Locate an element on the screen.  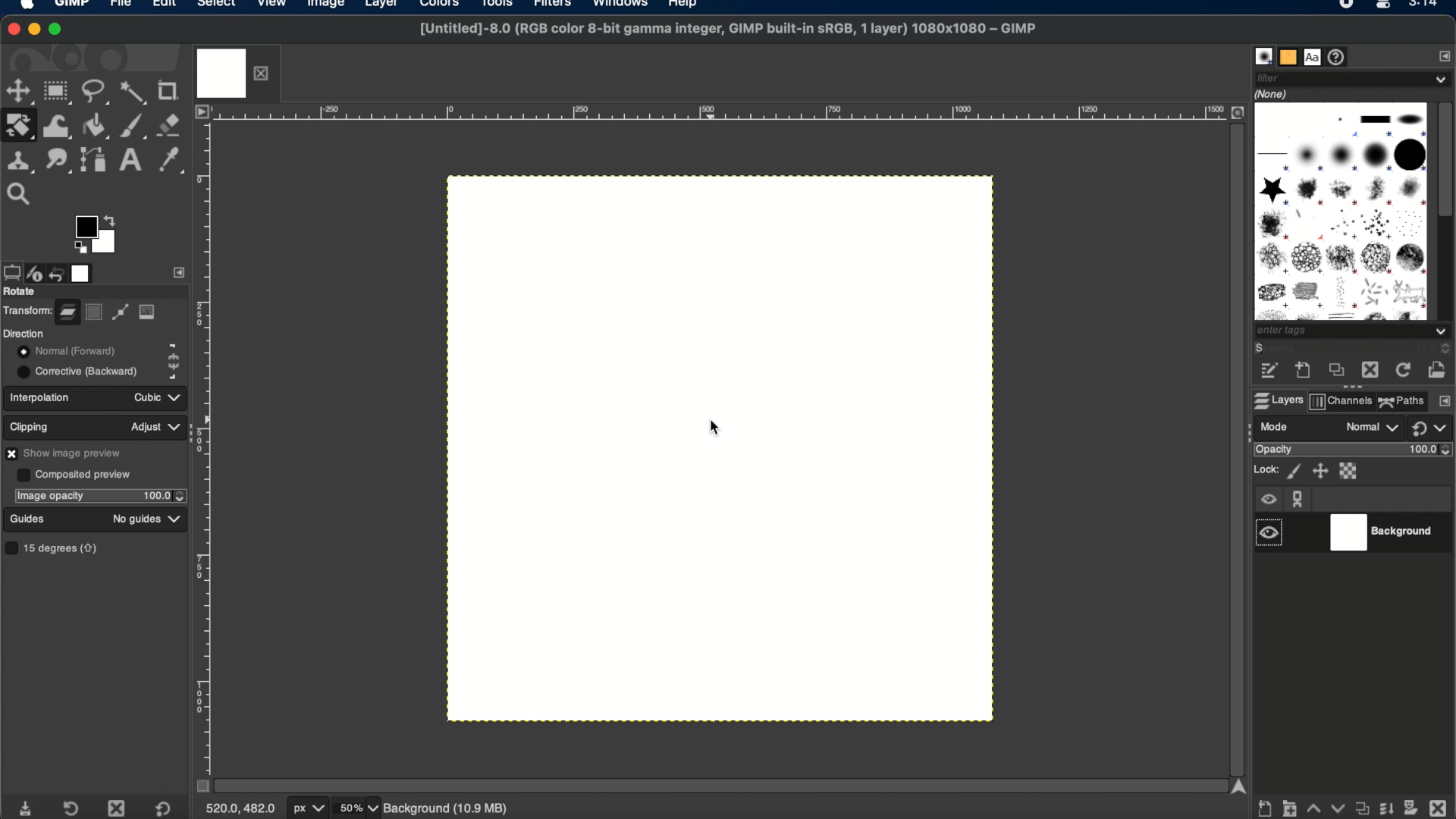
corrective backward icon is located at coordinates (171, 373).